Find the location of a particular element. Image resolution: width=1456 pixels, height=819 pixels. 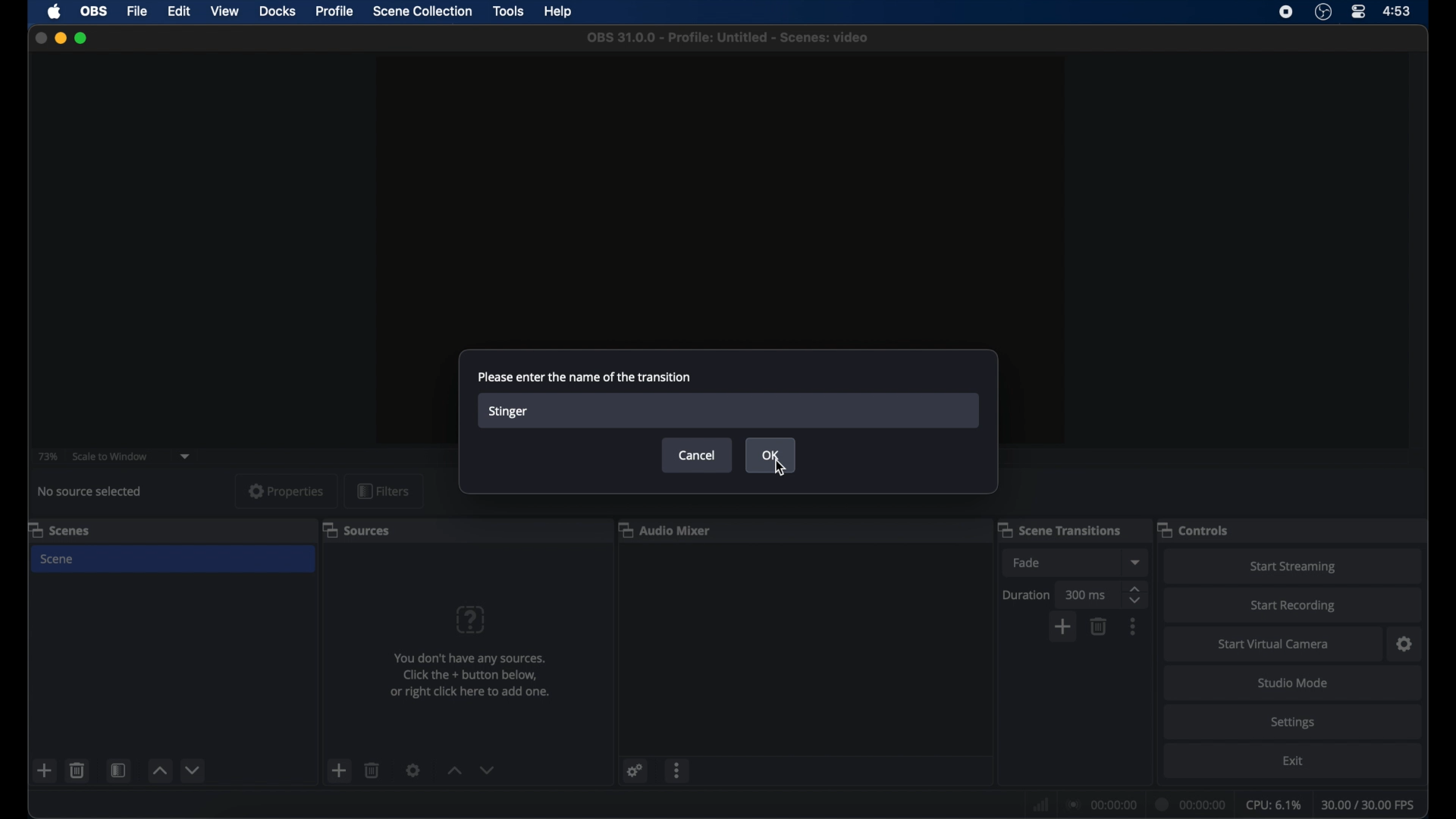

obs is located at coordinates (95, 11).